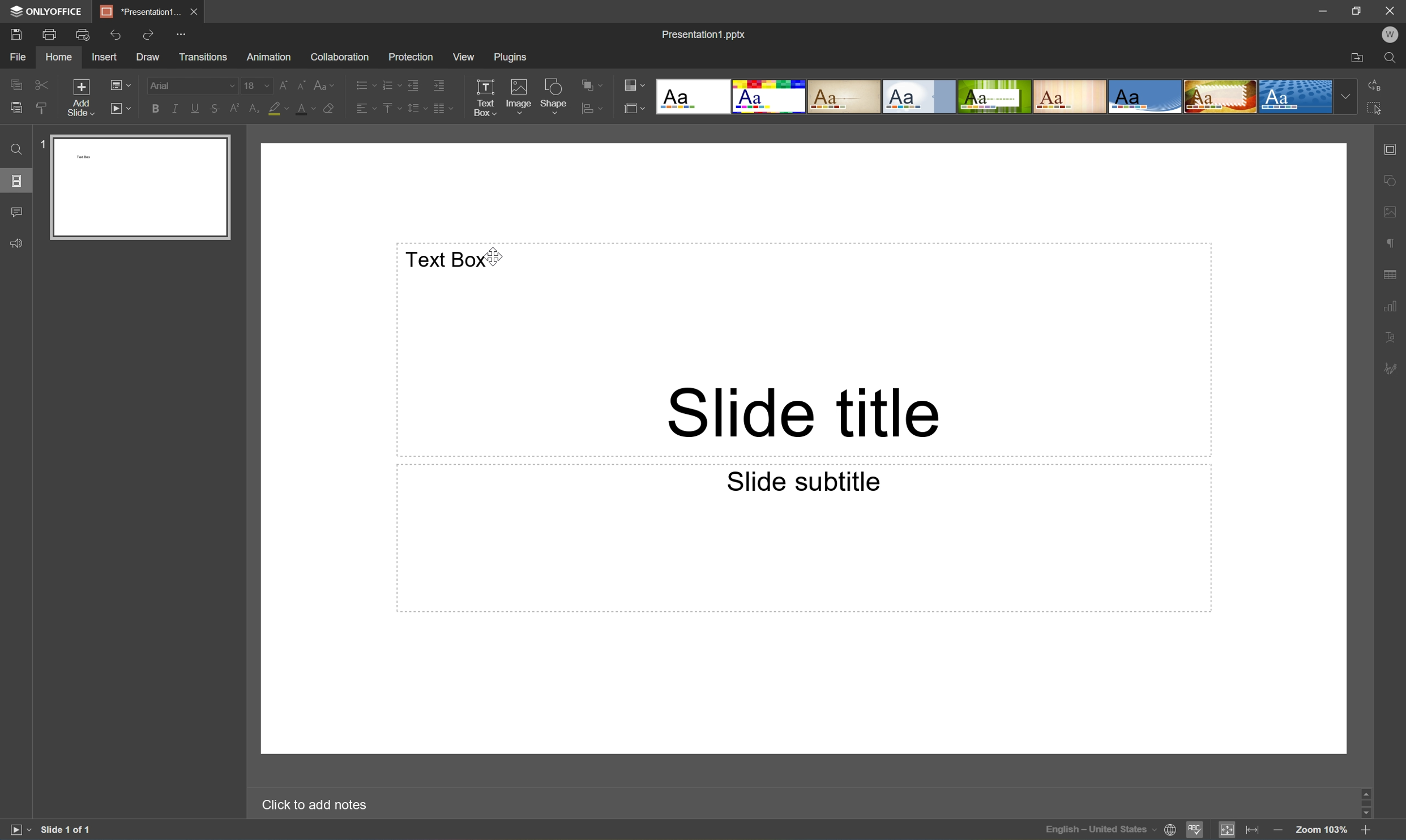 The width and height of the screenshot is (1406, 840). Describe the element at coordinates (1393, 58) in the screenshot. I see `Find` at that location.